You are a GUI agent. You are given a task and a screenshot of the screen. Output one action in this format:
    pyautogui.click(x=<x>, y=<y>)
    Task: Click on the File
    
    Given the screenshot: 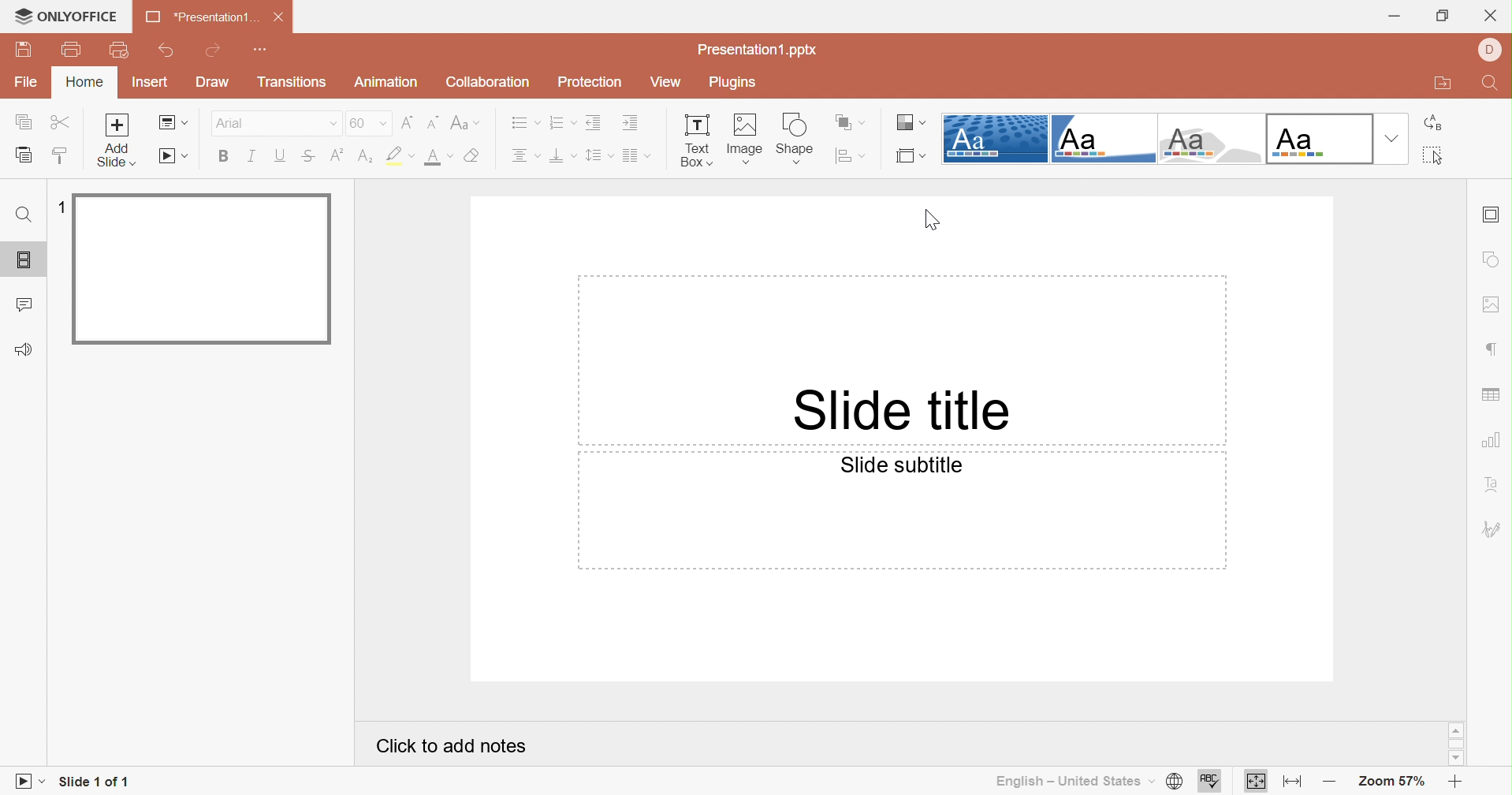 What is the action you would take?
    pyautogui.click(x=27, y=83)
    